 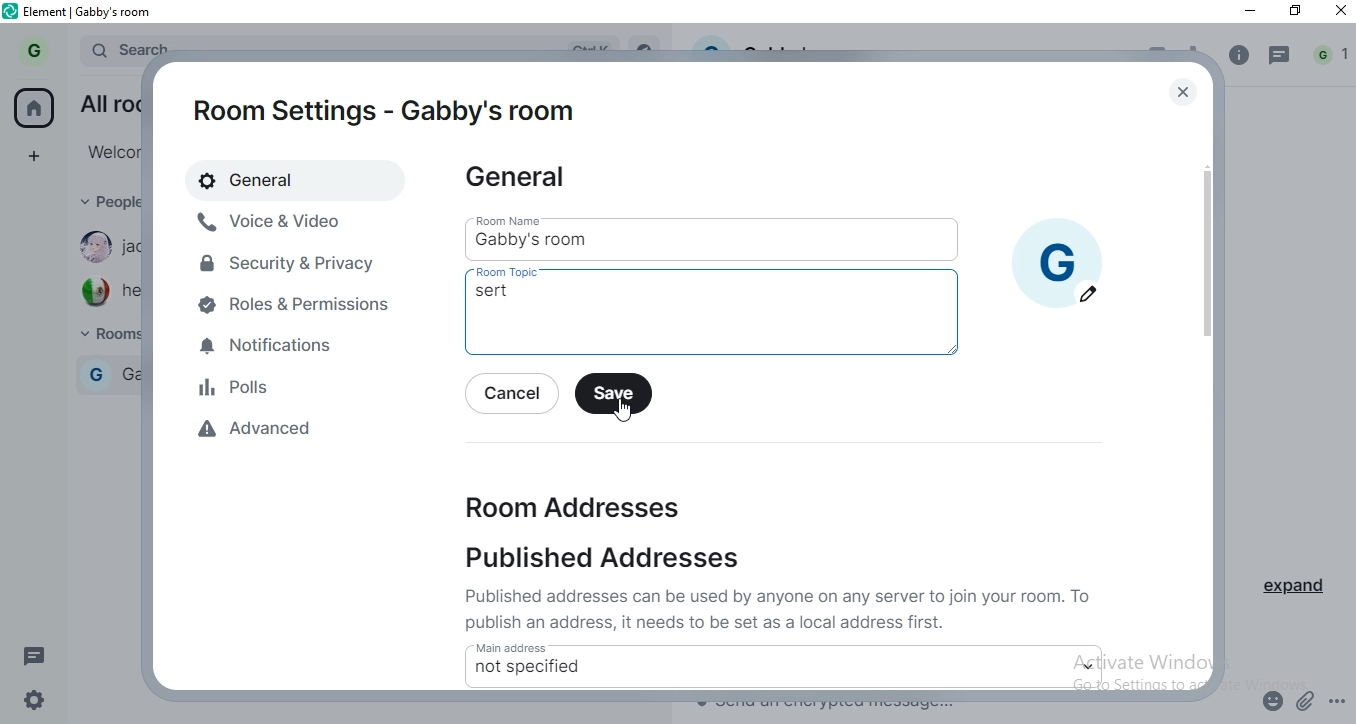 I want to click on search bar, so click(x=125, y=46).